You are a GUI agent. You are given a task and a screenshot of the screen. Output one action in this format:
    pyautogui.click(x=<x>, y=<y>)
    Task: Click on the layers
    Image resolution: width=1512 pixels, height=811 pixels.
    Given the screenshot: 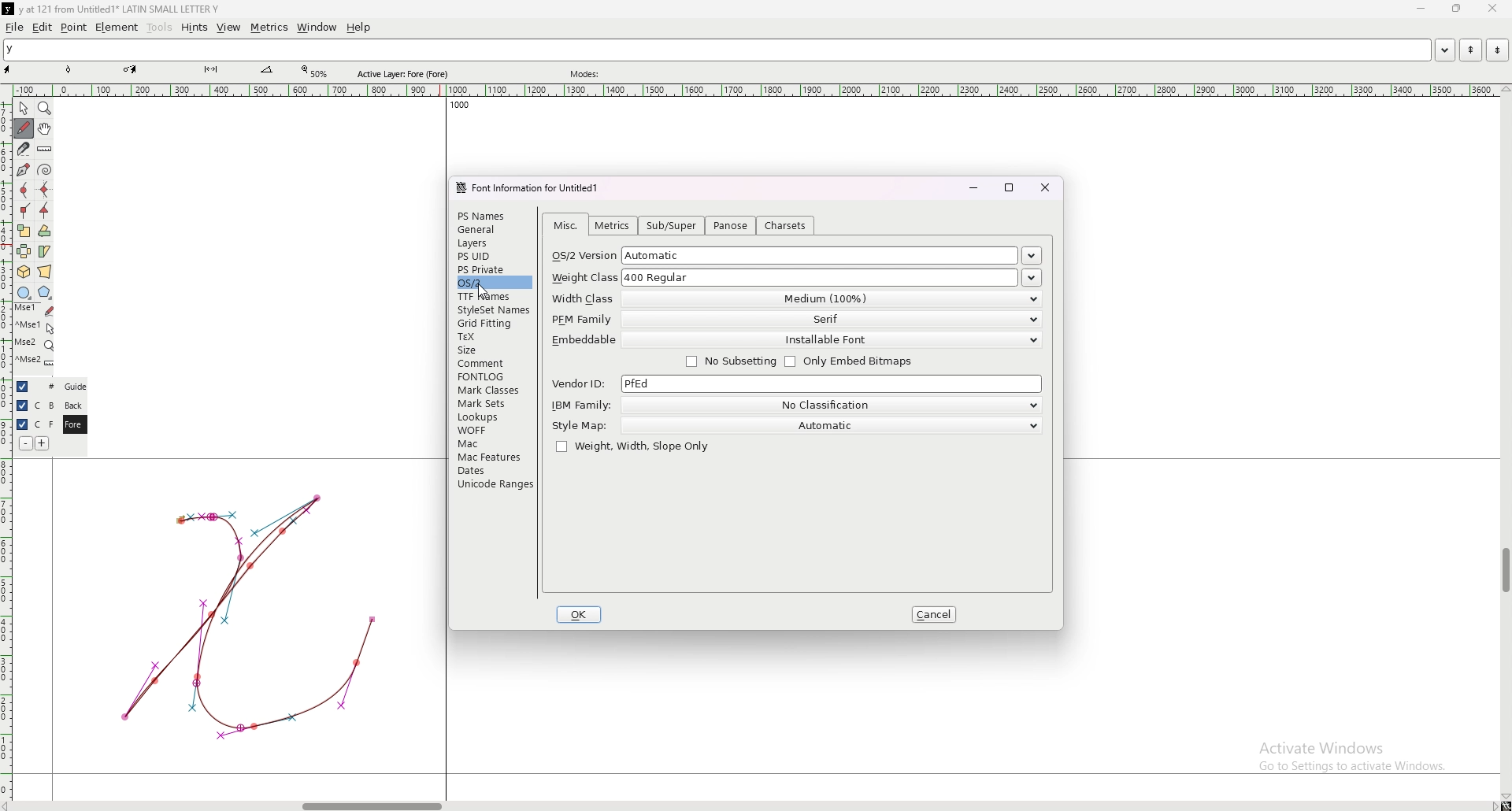 What is the action you would take?
    pyautogui.click(x=492, y=243)
    